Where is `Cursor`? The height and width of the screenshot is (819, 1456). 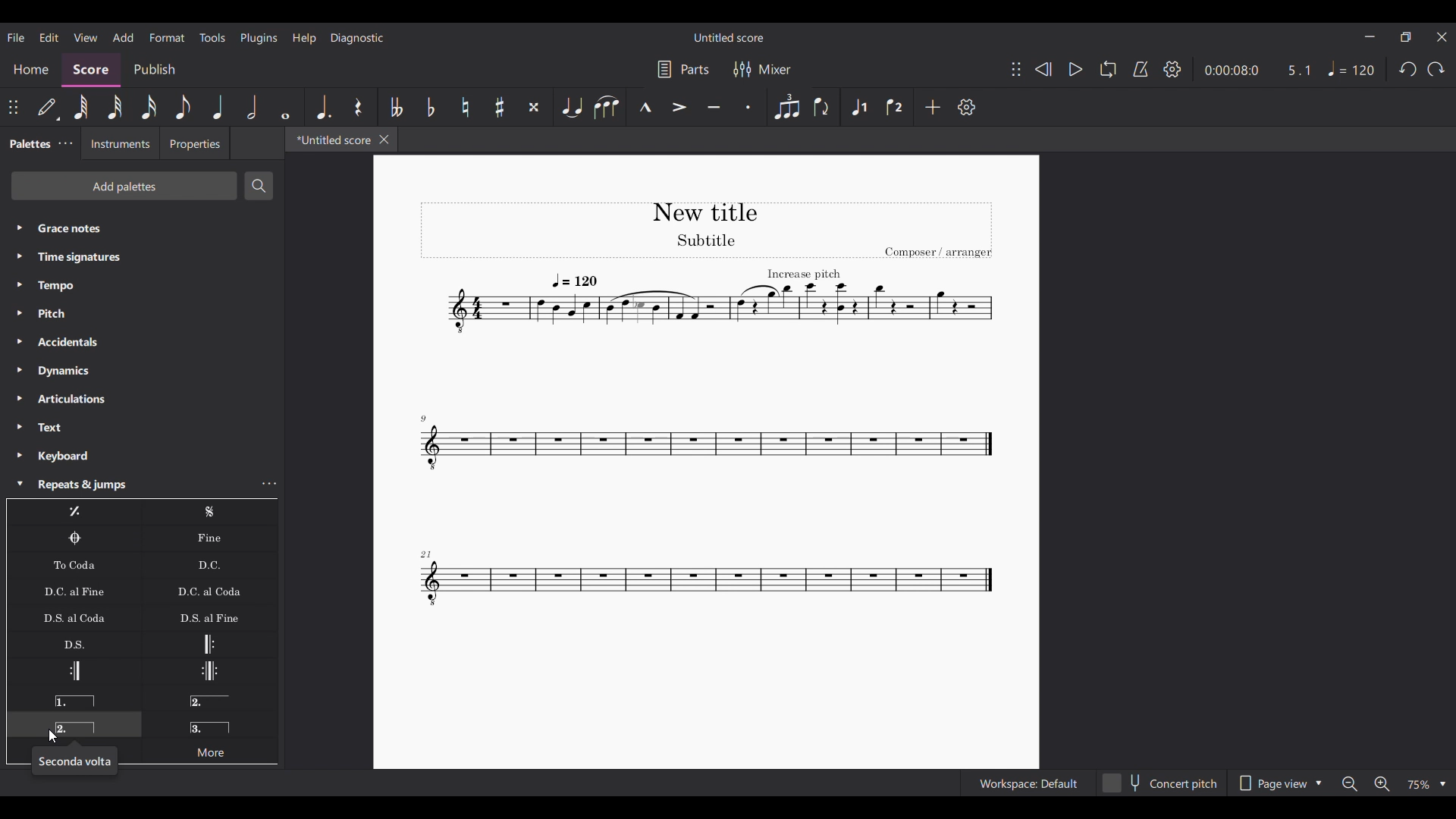 Cursor is located at coordinates (53, 736).